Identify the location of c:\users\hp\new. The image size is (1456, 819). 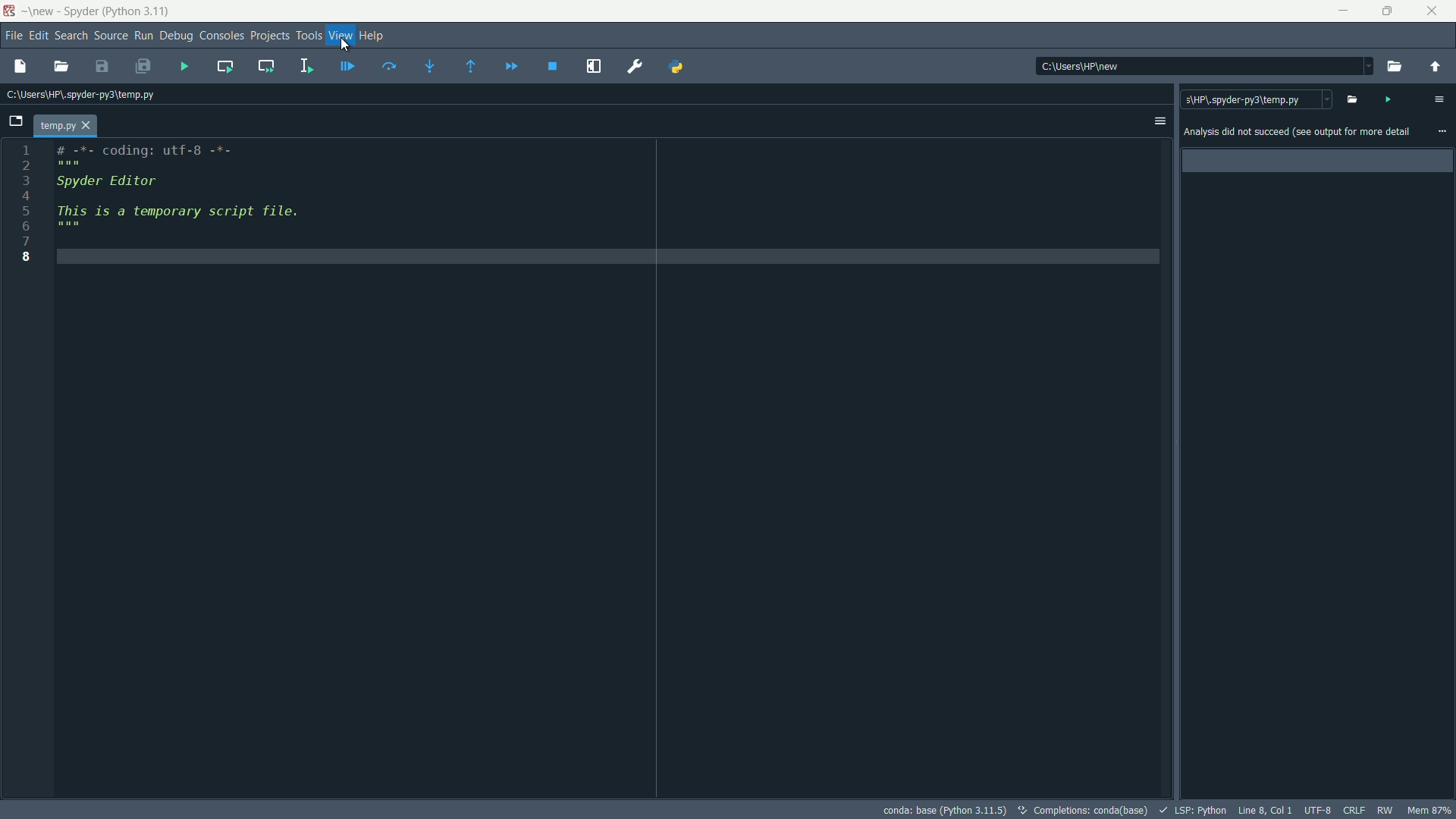
(1081, 67).